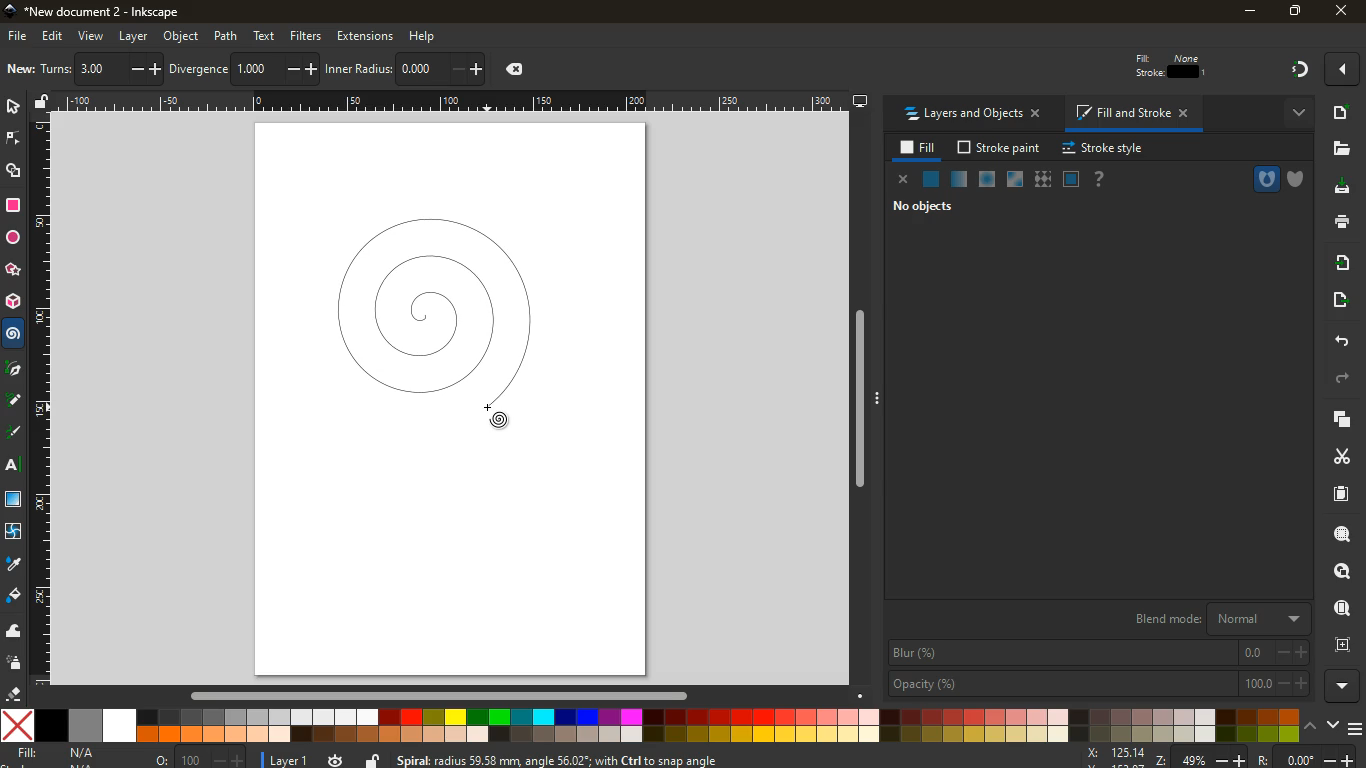 This screenshot has width=1366, height=768. I want to click on , so click(14, 402).